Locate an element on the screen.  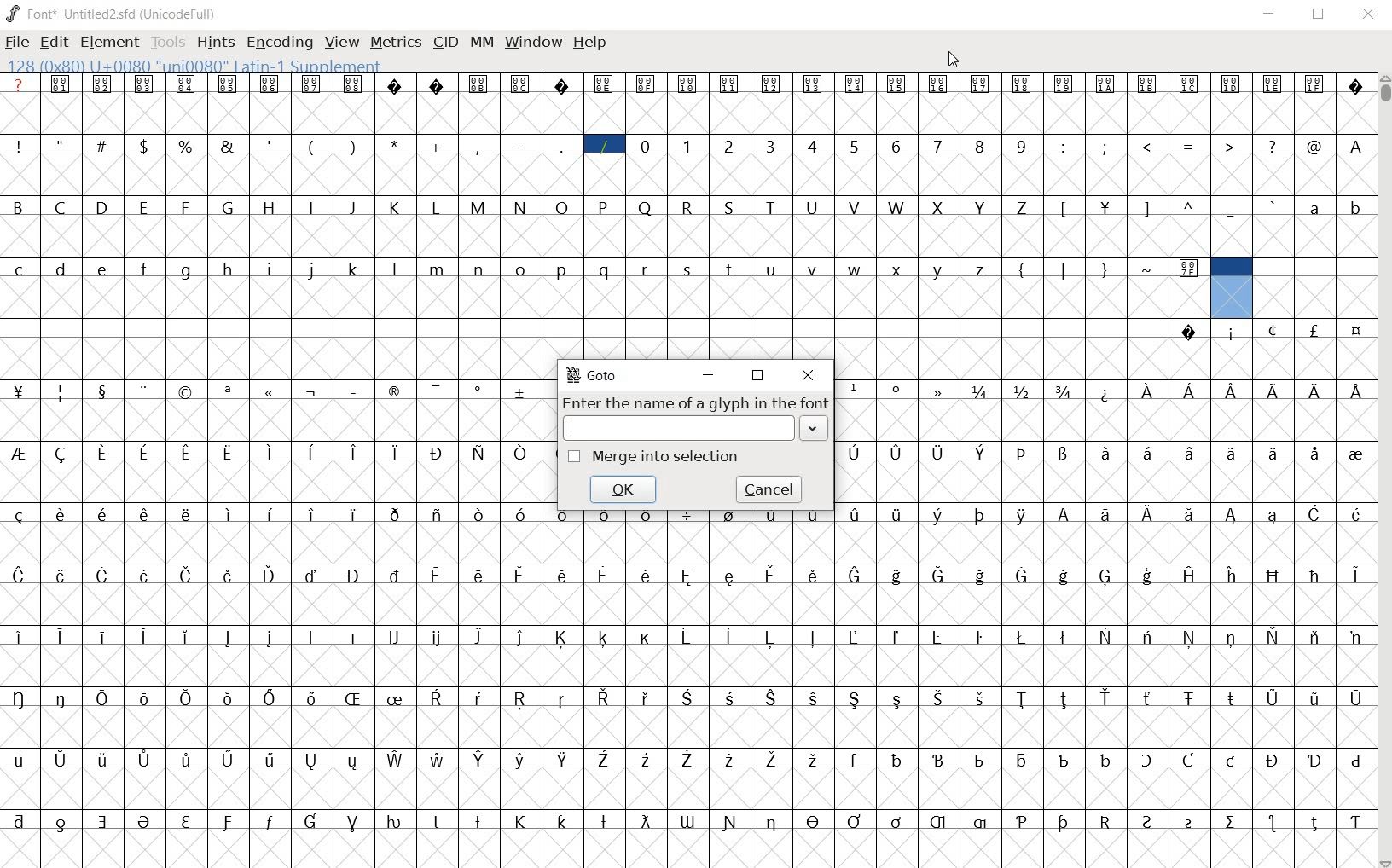
Symbol is located at coordinates (981, 574).